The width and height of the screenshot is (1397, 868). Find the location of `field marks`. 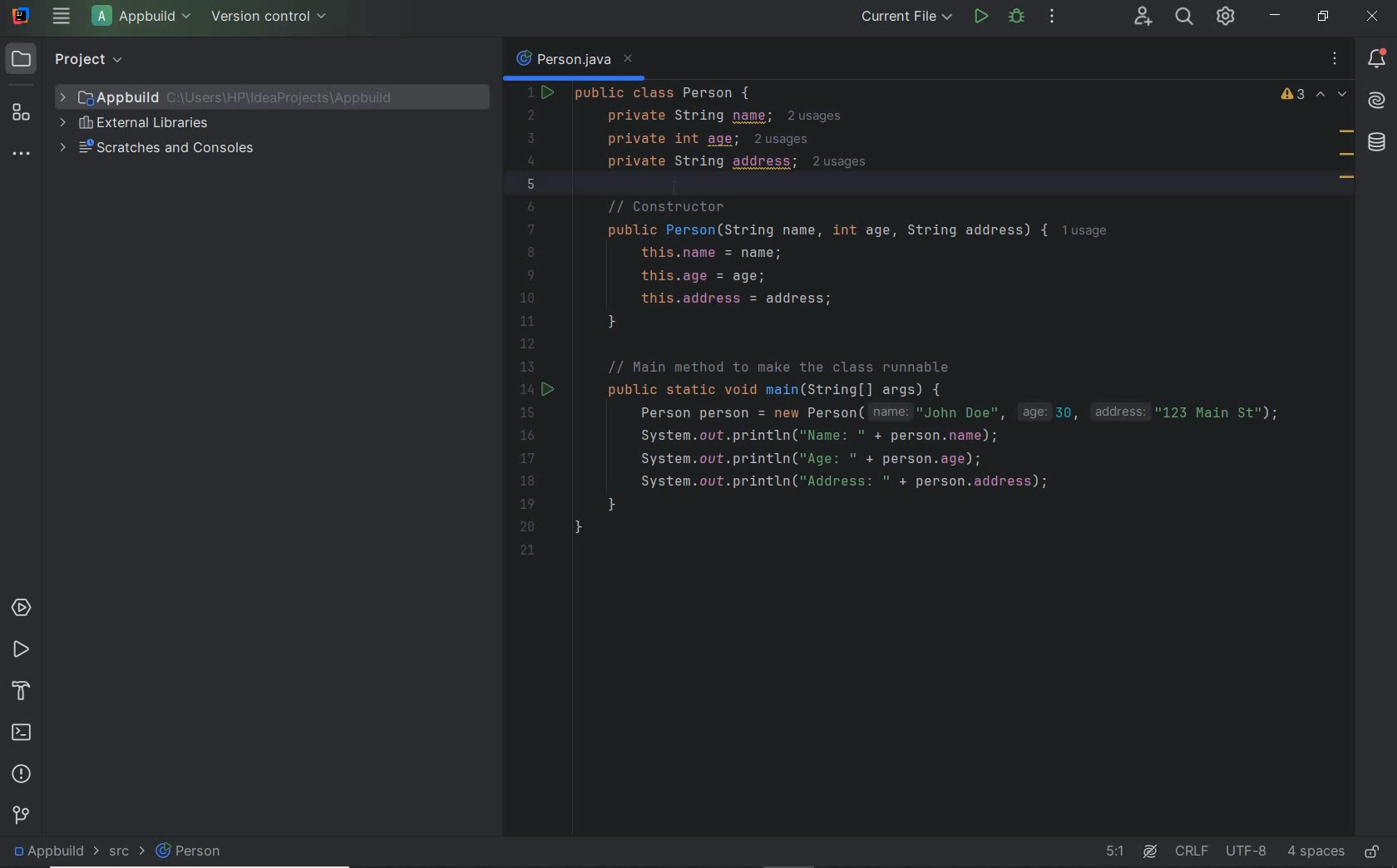

field marks is located at coordinates (1346, 157).